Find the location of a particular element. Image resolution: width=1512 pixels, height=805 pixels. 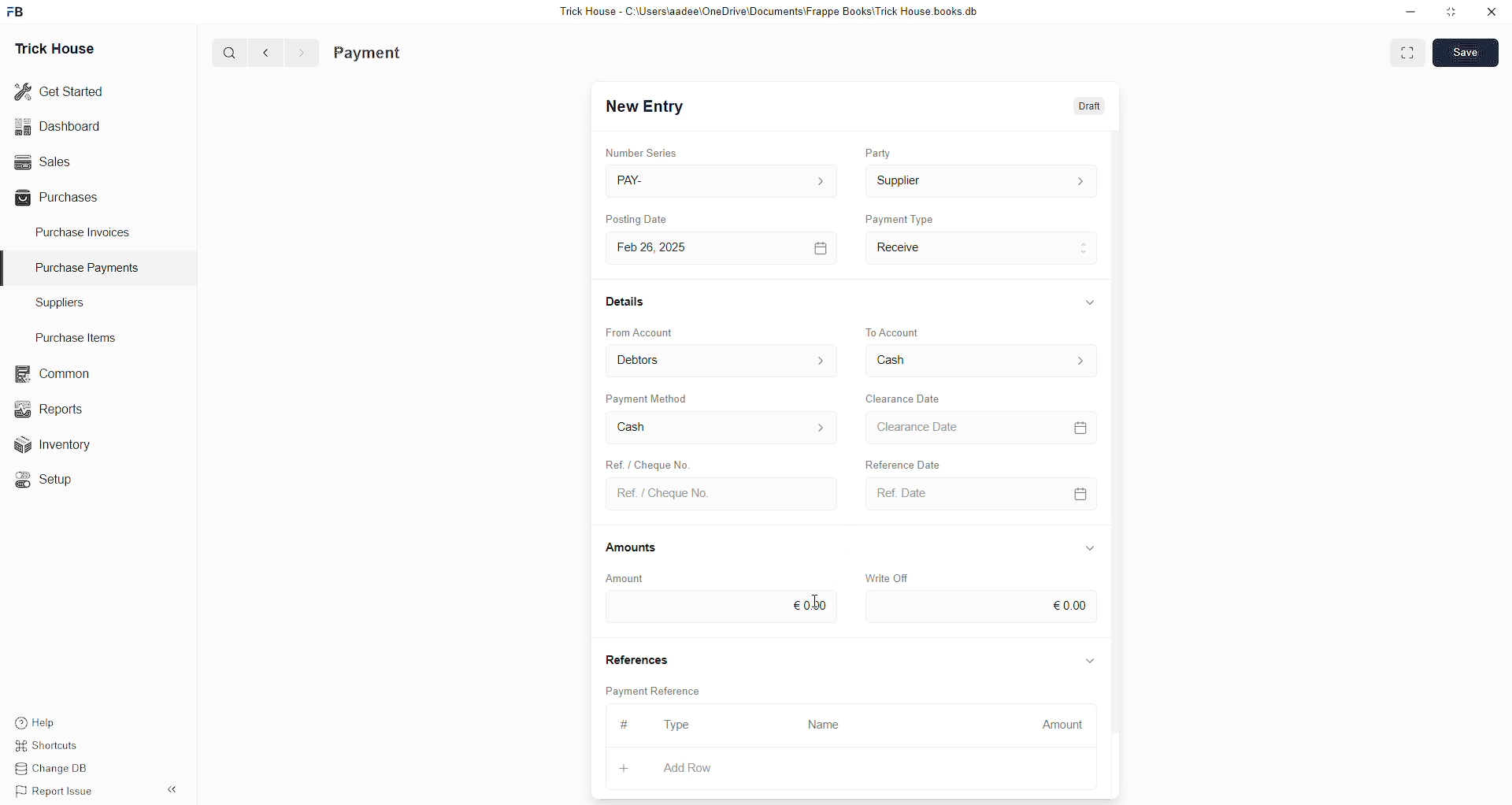

Save is located at coordinates (1464, 54).